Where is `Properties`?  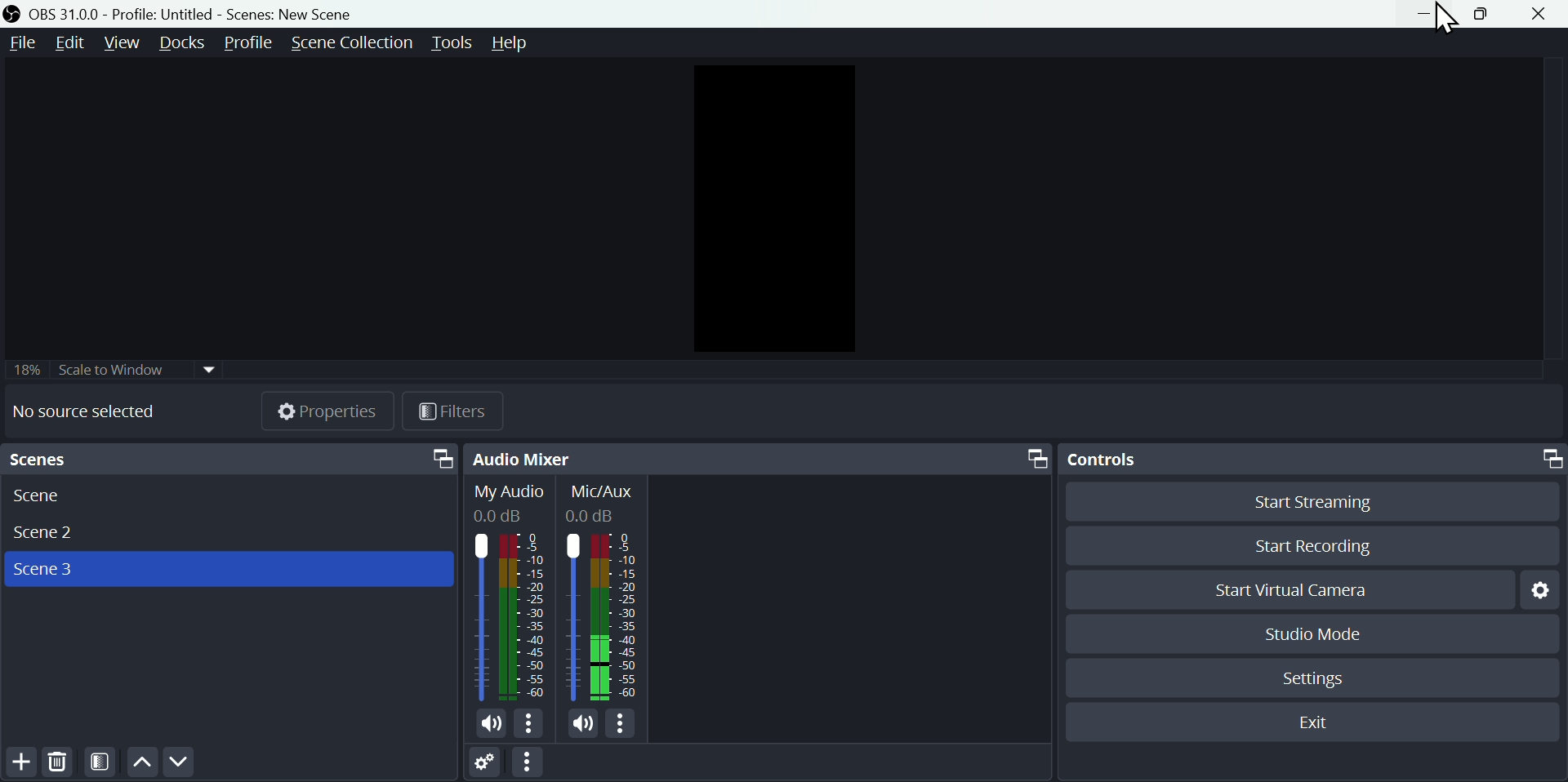 Properties is located at coordinates (328, 410).